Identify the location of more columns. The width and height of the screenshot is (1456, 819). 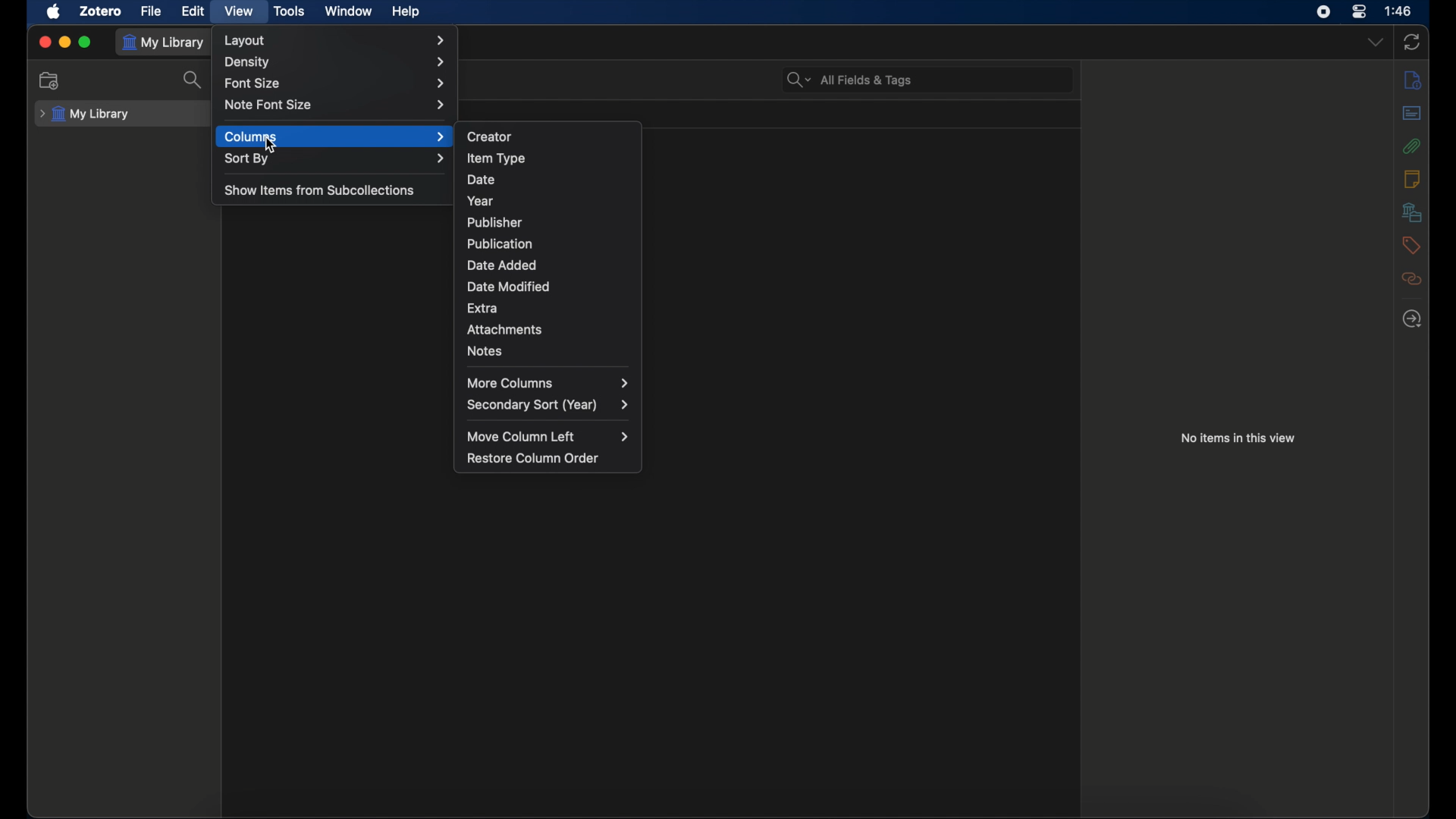
(547, 382).